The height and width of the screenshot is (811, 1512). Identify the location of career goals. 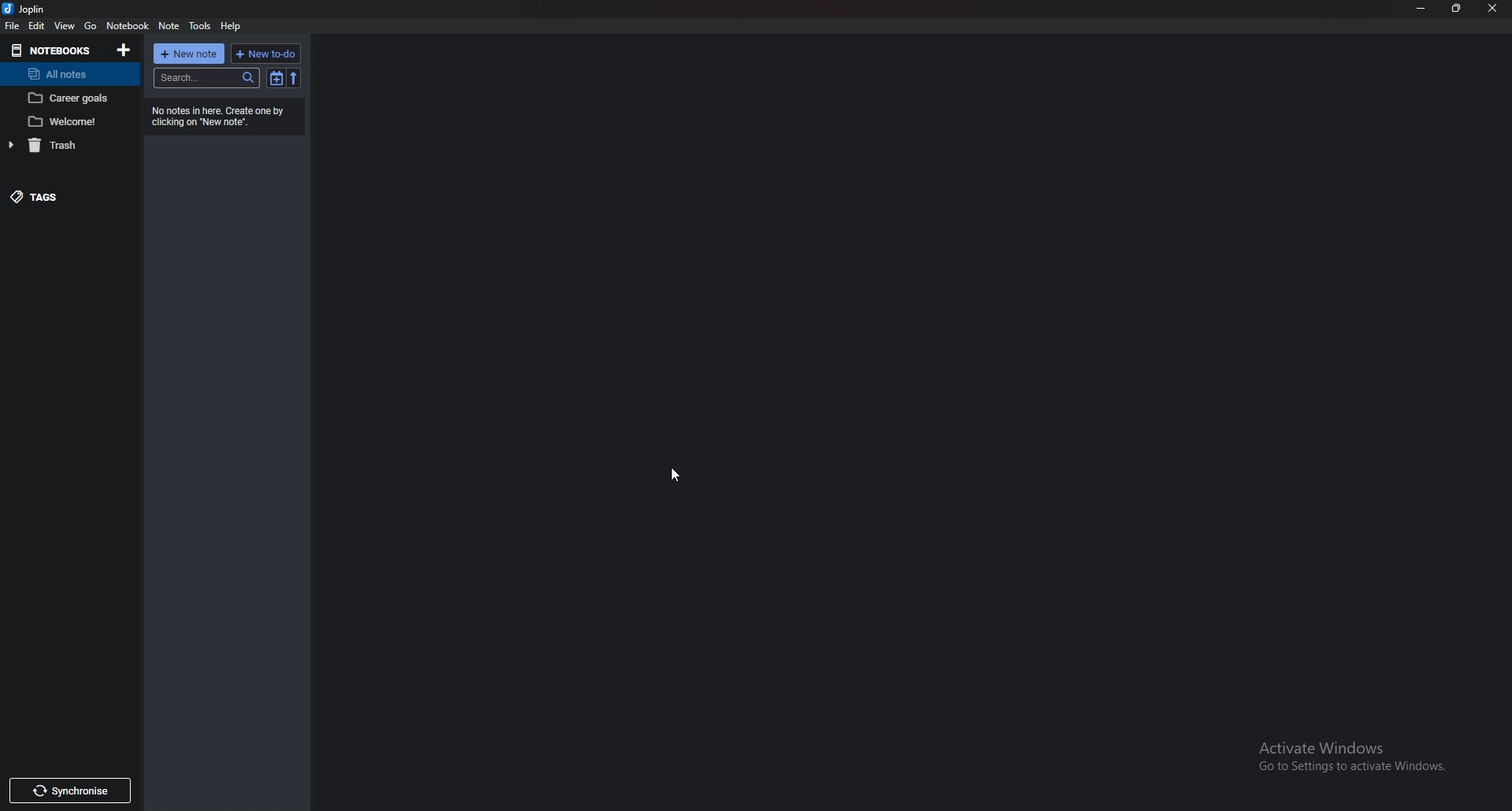
(69, 98).